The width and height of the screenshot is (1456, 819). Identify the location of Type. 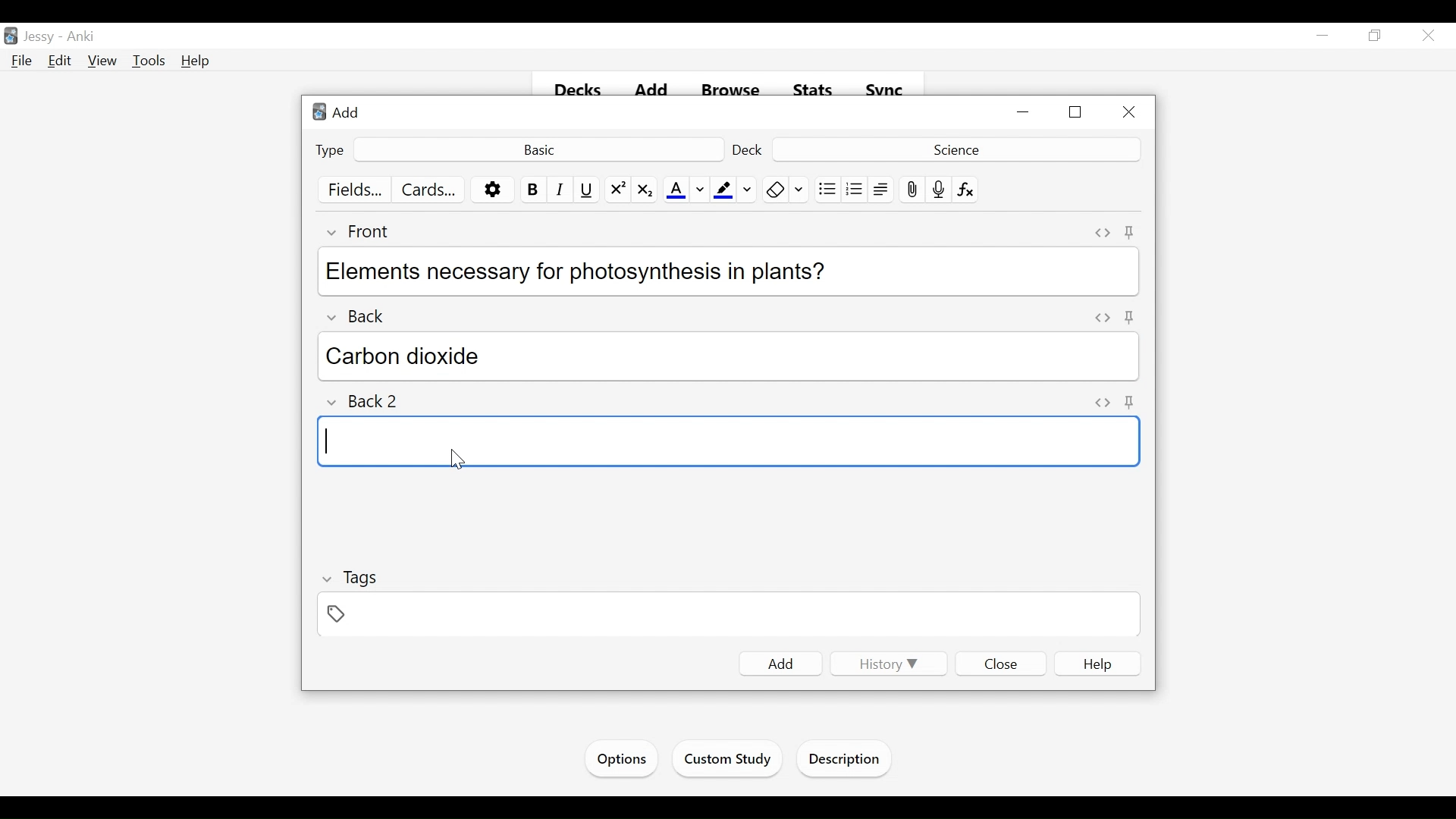
(331, 149).